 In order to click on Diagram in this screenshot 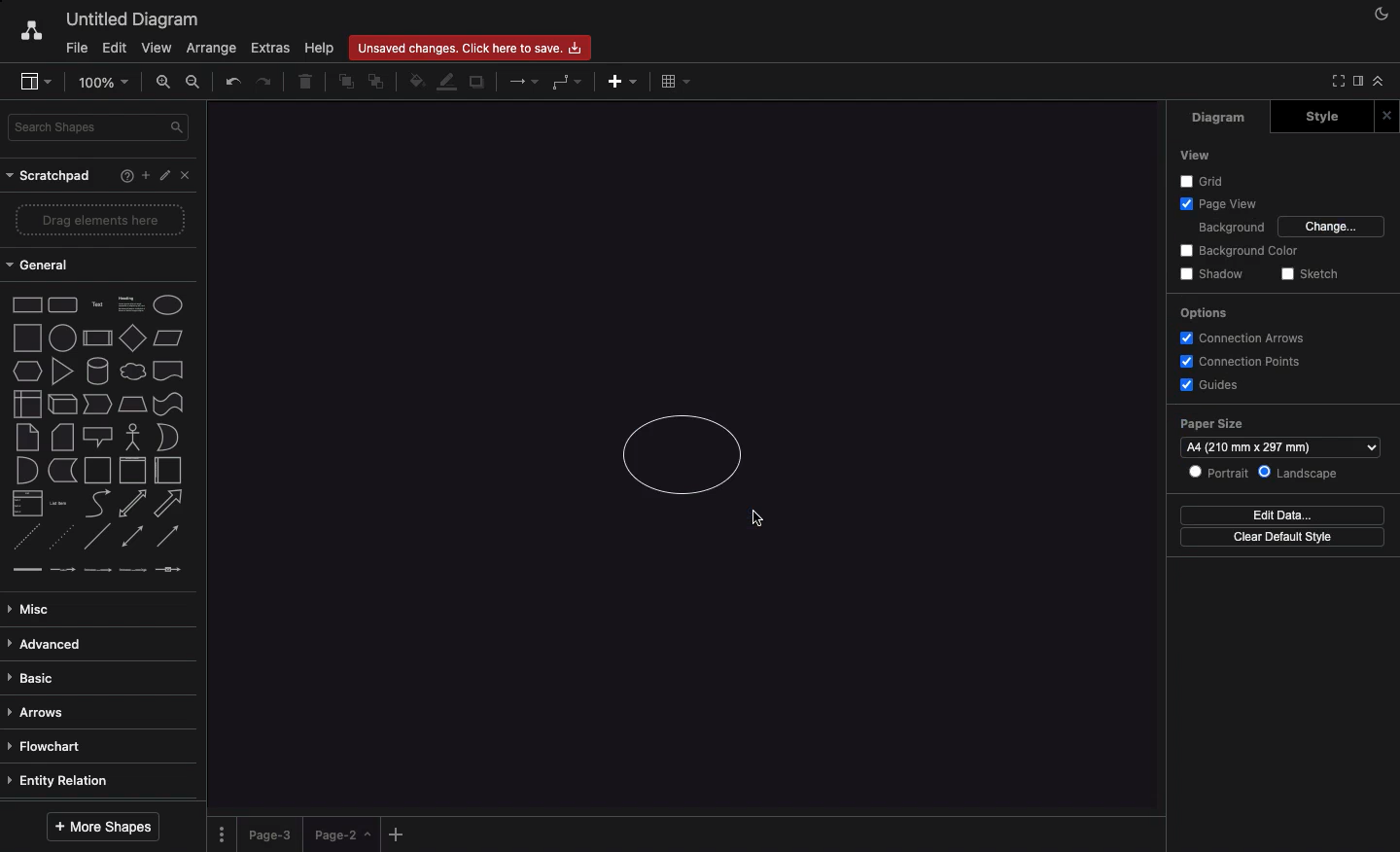, I will do `click(1211, 119)`.